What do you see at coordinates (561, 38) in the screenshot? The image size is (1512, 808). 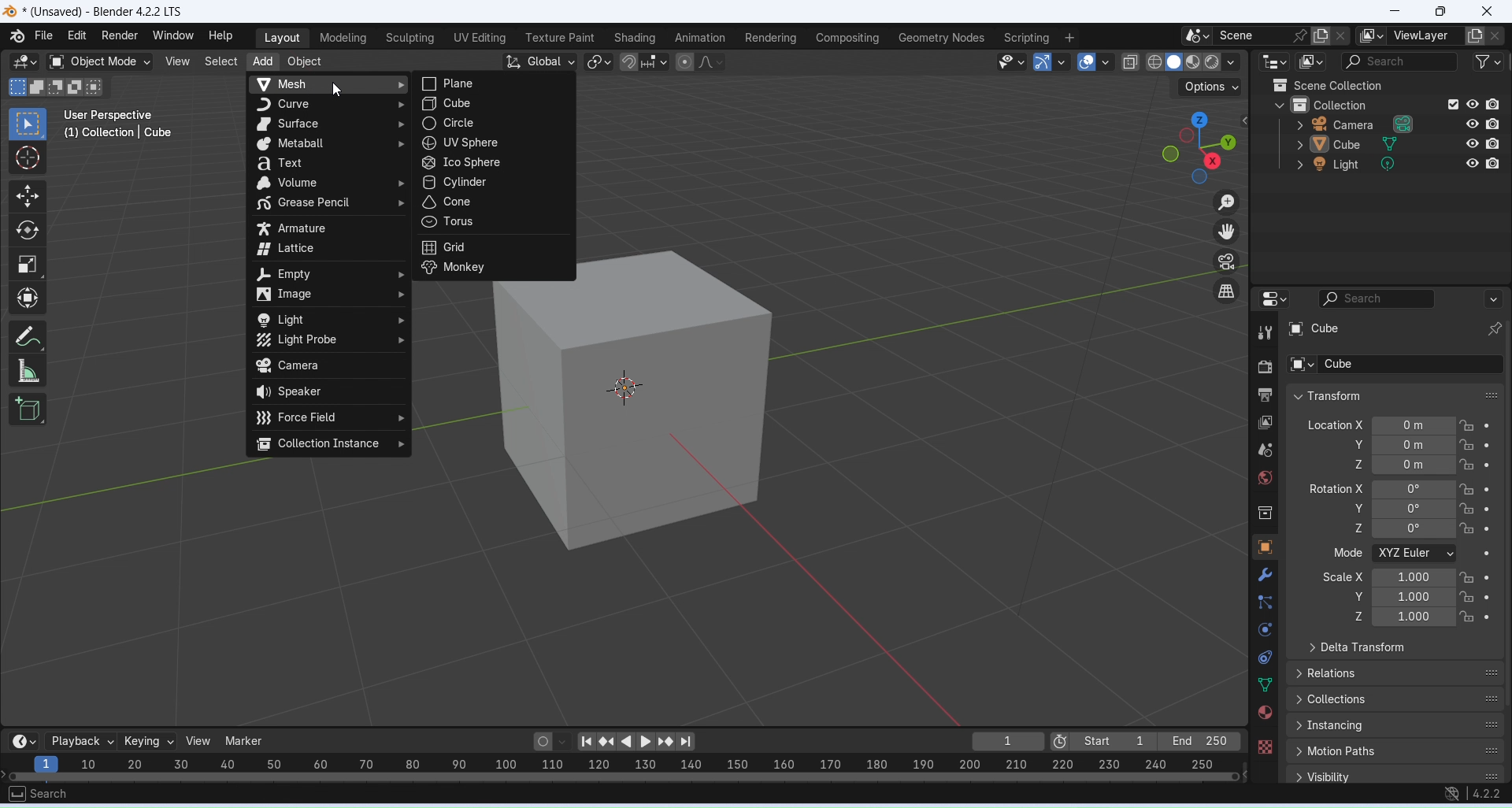 I see `Texture part` at bounding box center [561, 38].